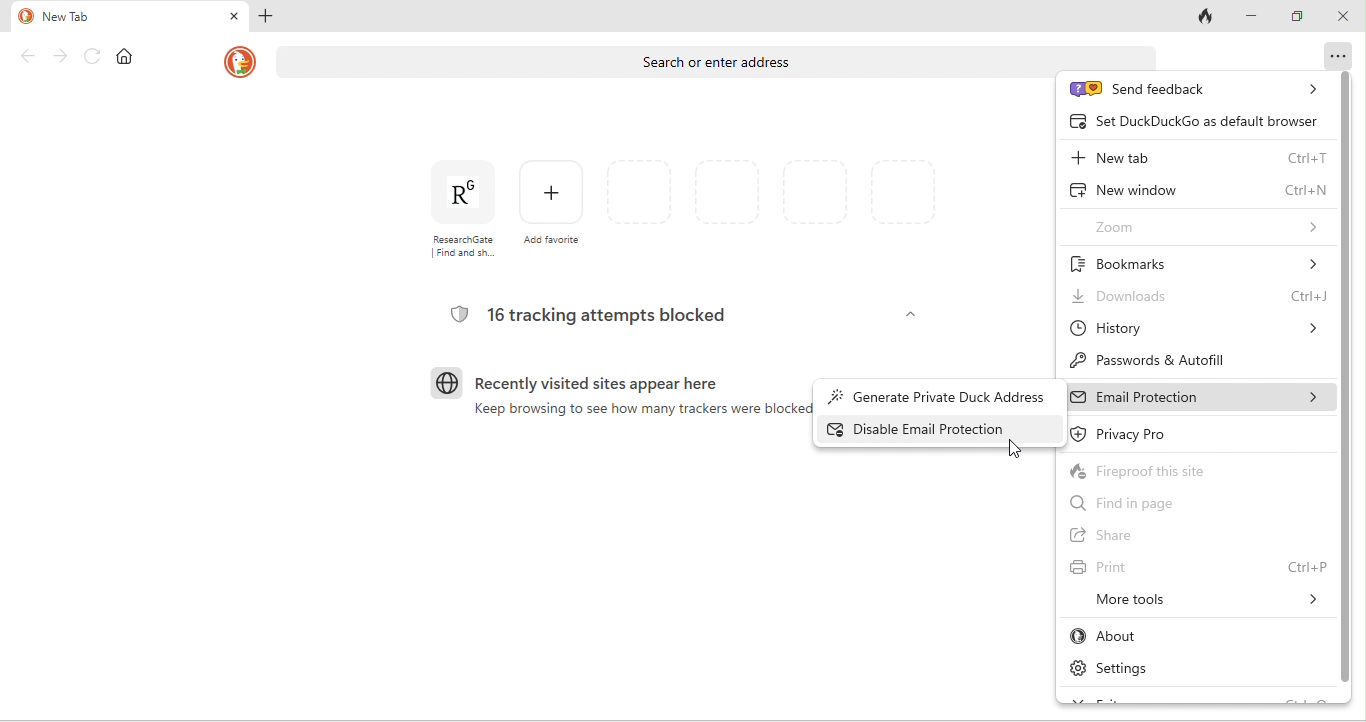 Image resolution: width=1366 pixels, height=722 pixels. Describe the element at coordinates (1144, 438) in the screenshot. I see `privacy pro` at that location.